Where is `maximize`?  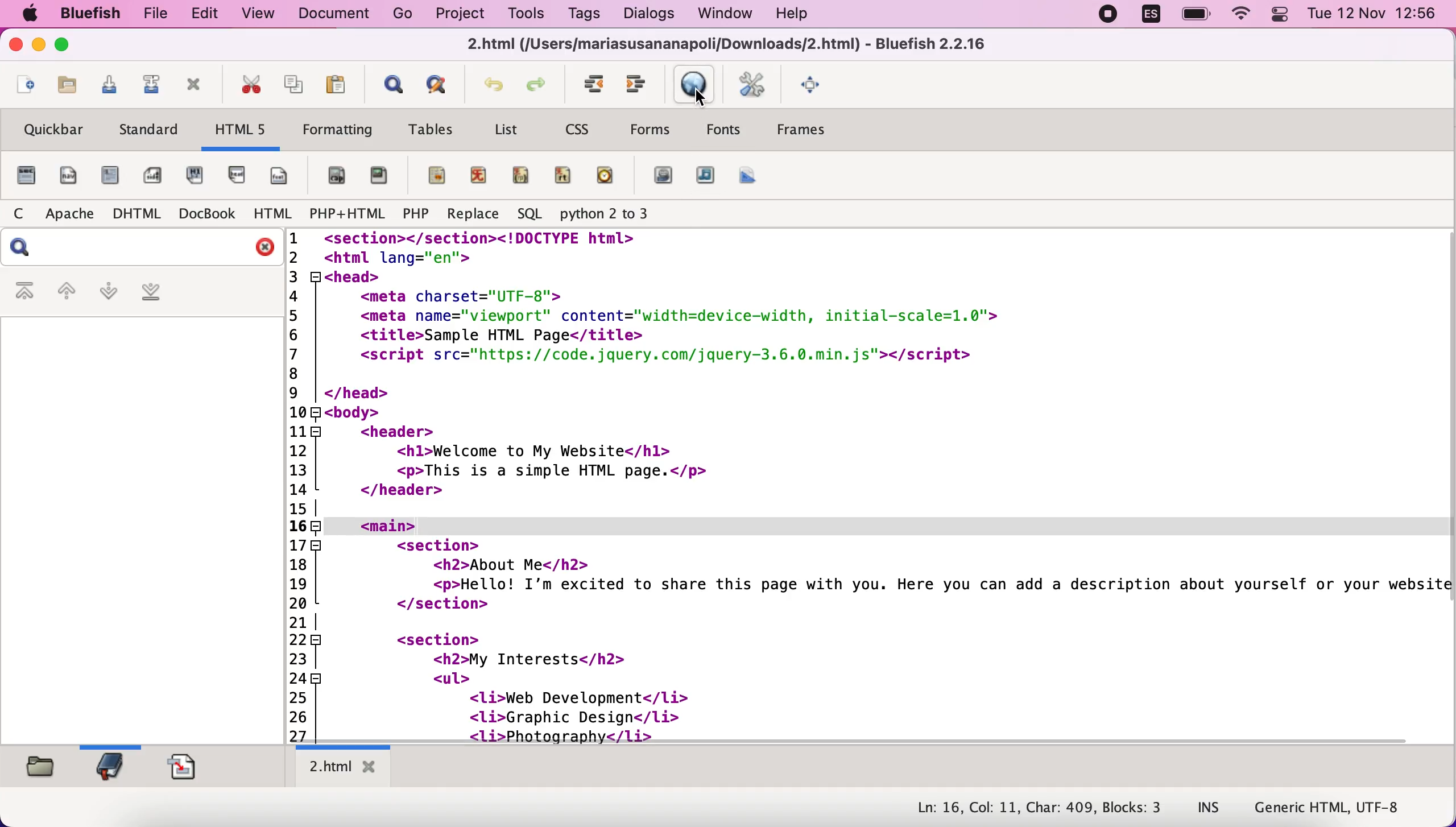
maximize is located at coordinates (67, 46).